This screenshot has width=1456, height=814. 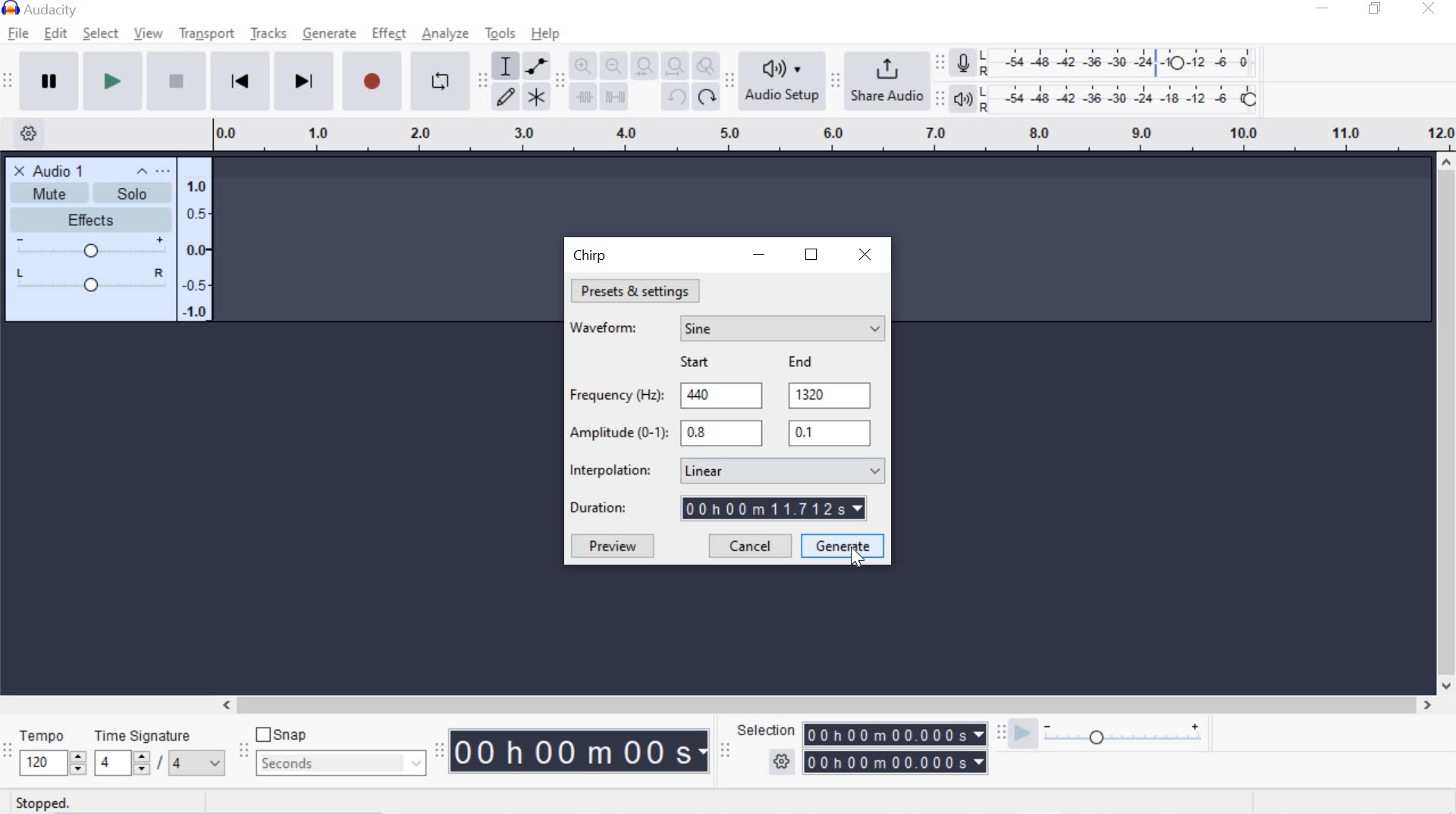 I want to click on selection time, so click(x=881, y=762).